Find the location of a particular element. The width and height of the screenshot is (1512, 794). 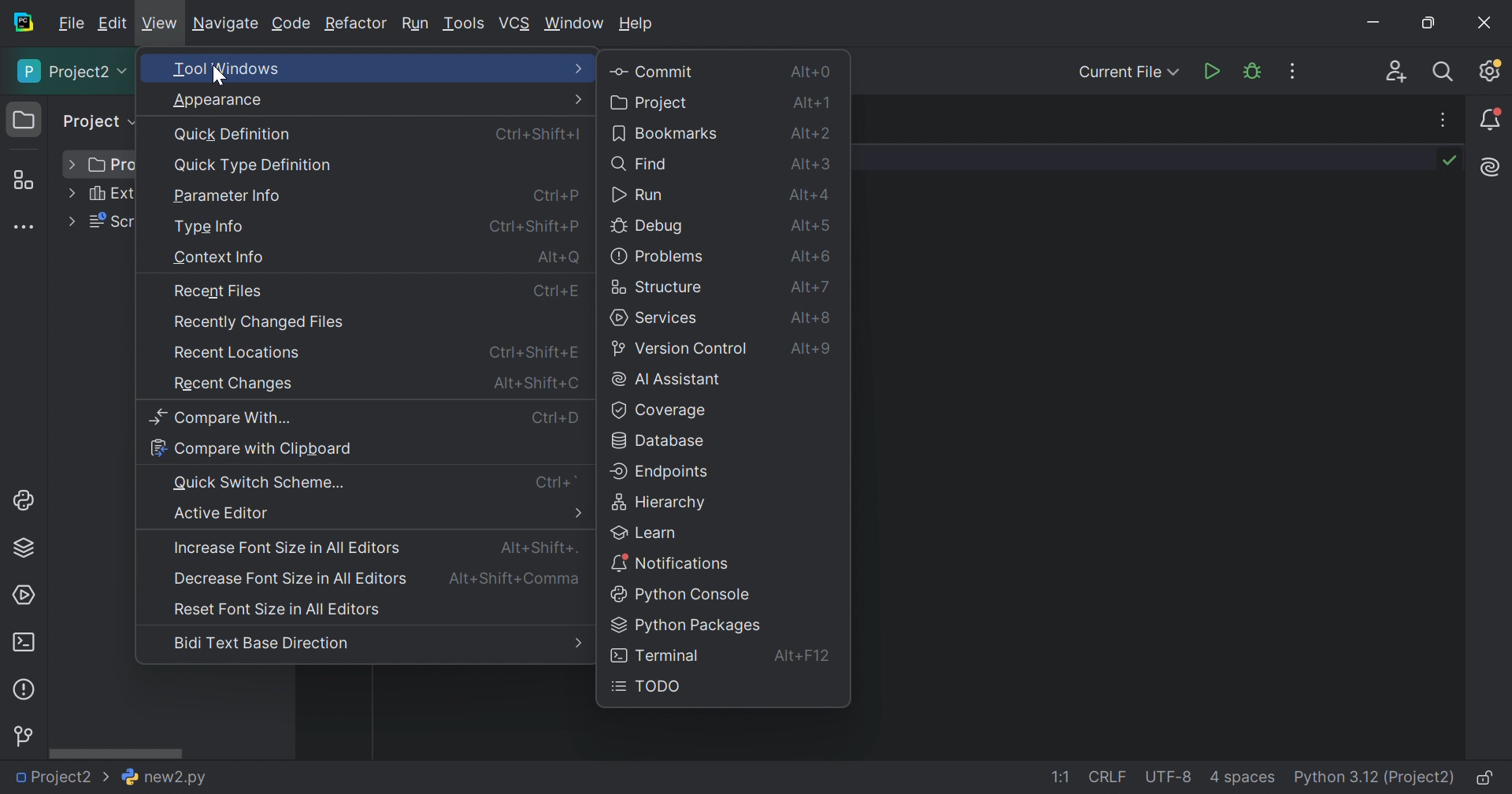

UTF-8 is located at coordinates (1169, 777).